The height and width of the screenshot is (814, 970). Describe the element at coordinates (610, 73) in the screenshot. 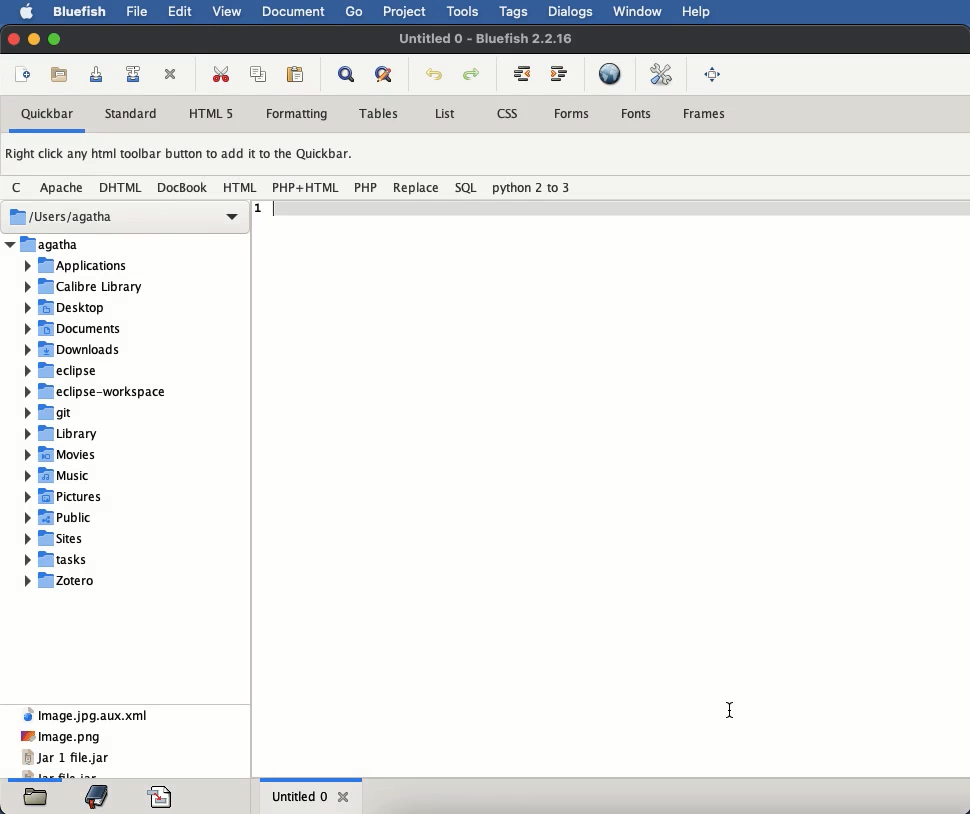

I see `preview in browser` at that location.